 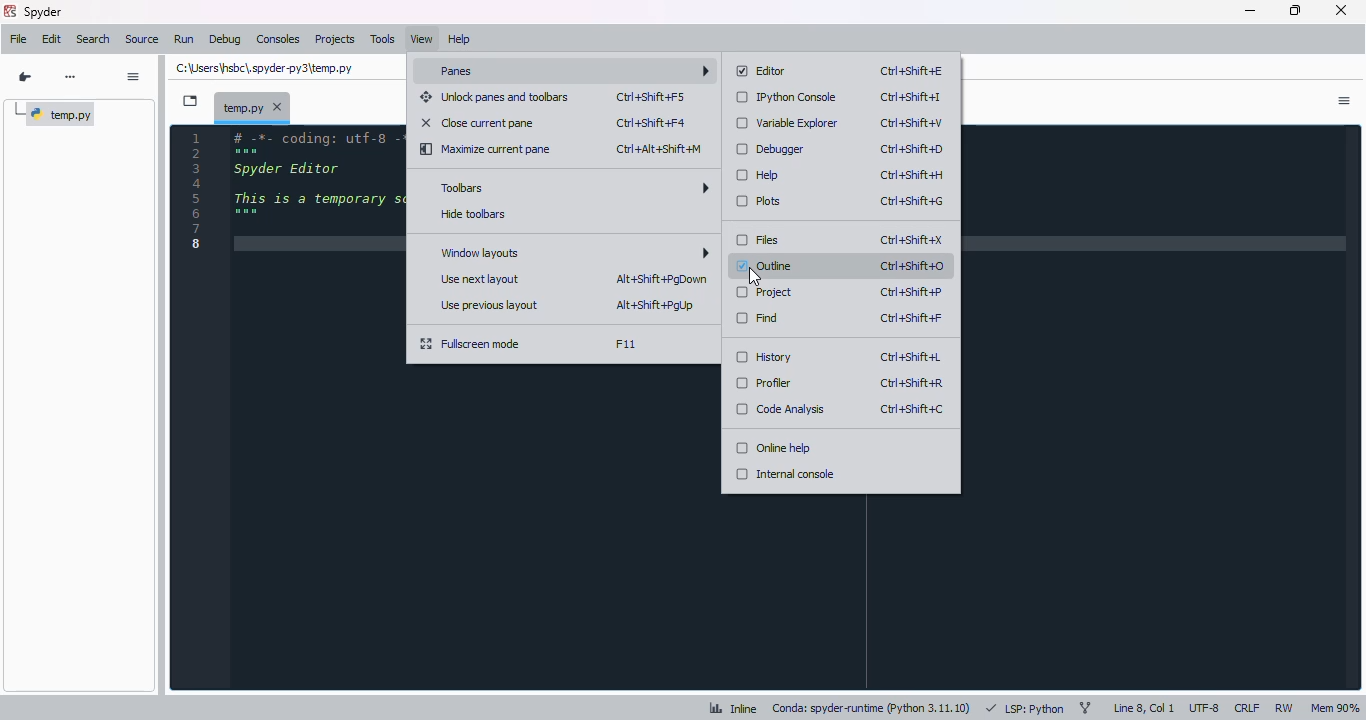 I want to click on editor, so click(x=762, y=71).